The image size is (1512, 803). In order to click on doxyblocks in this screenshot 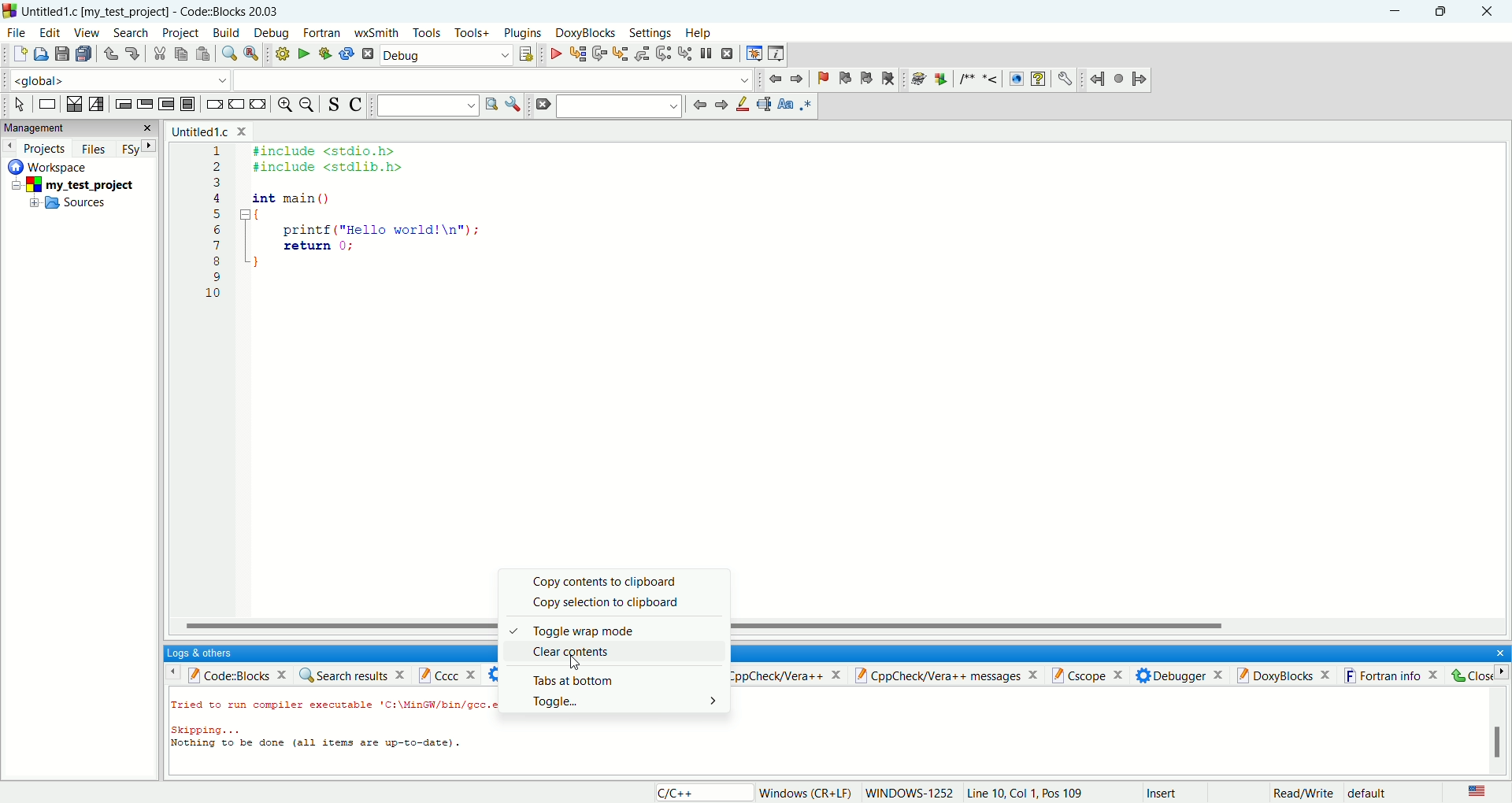, I will do `click(586, 33)`.